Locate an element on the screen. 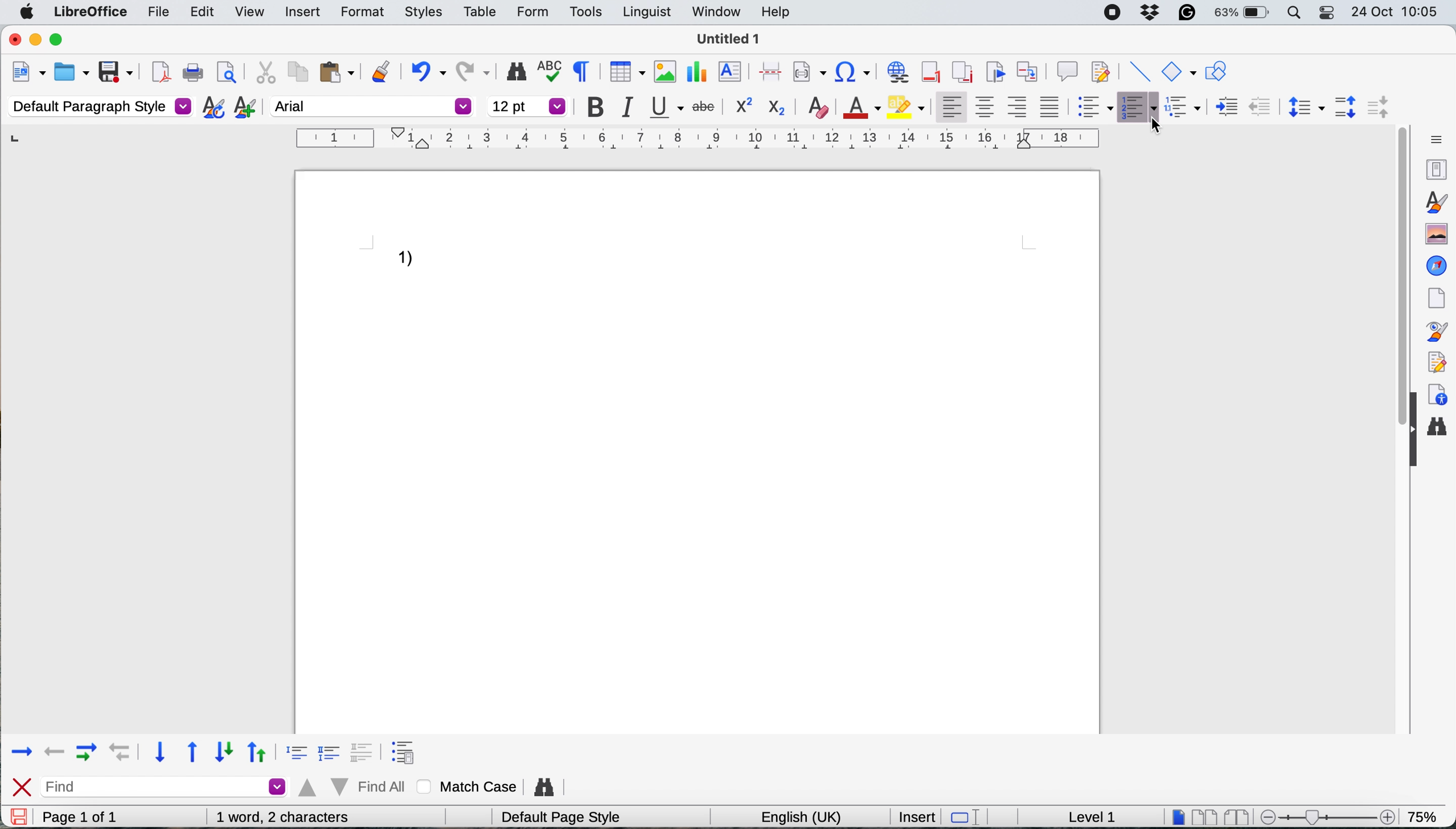 The width and height of the screenshot is (1456, 829). accessibility checks is located at coordinates (1436, 395).